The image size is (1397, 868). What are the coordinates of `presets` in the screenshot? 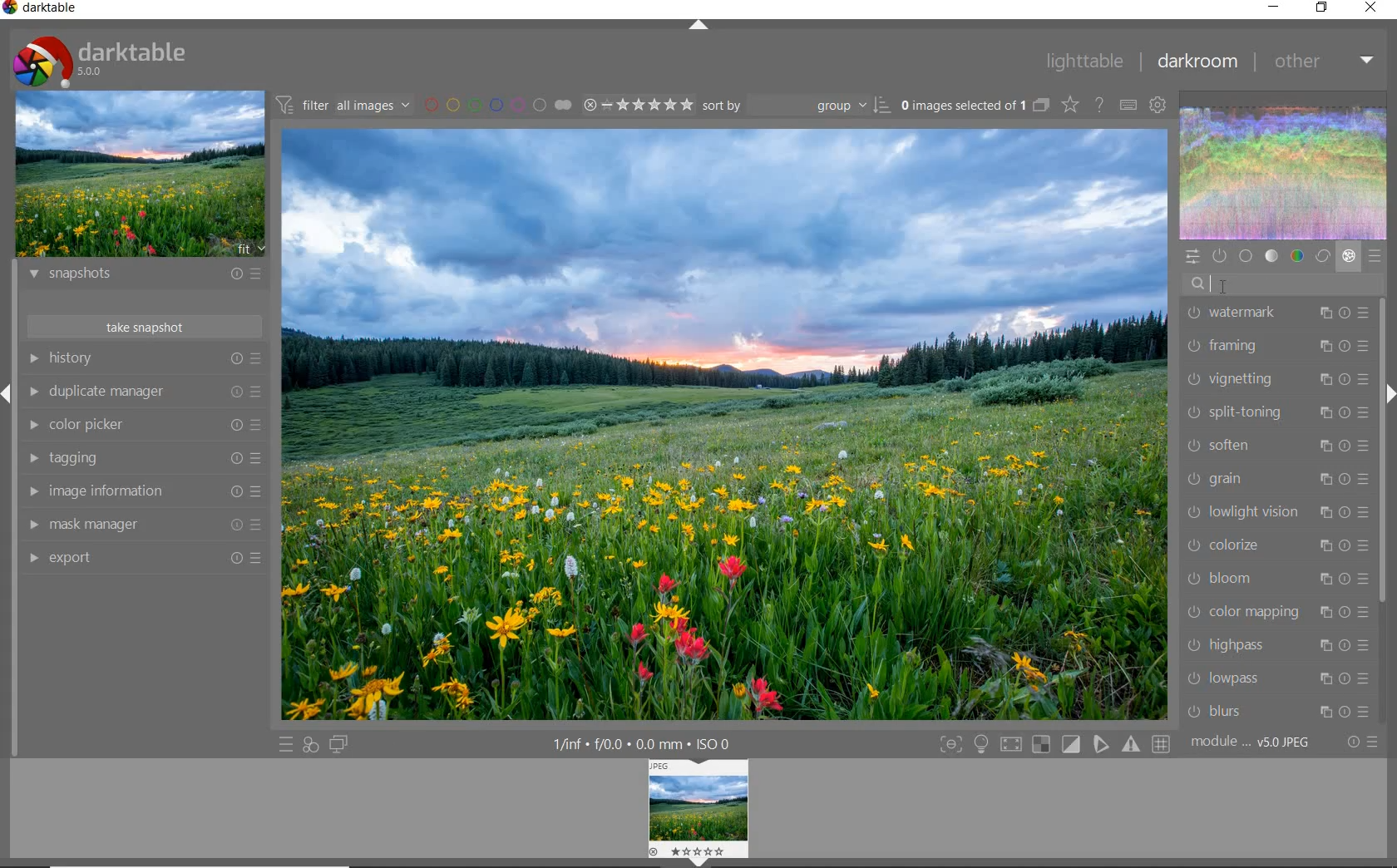 It's located at (1375, 257).